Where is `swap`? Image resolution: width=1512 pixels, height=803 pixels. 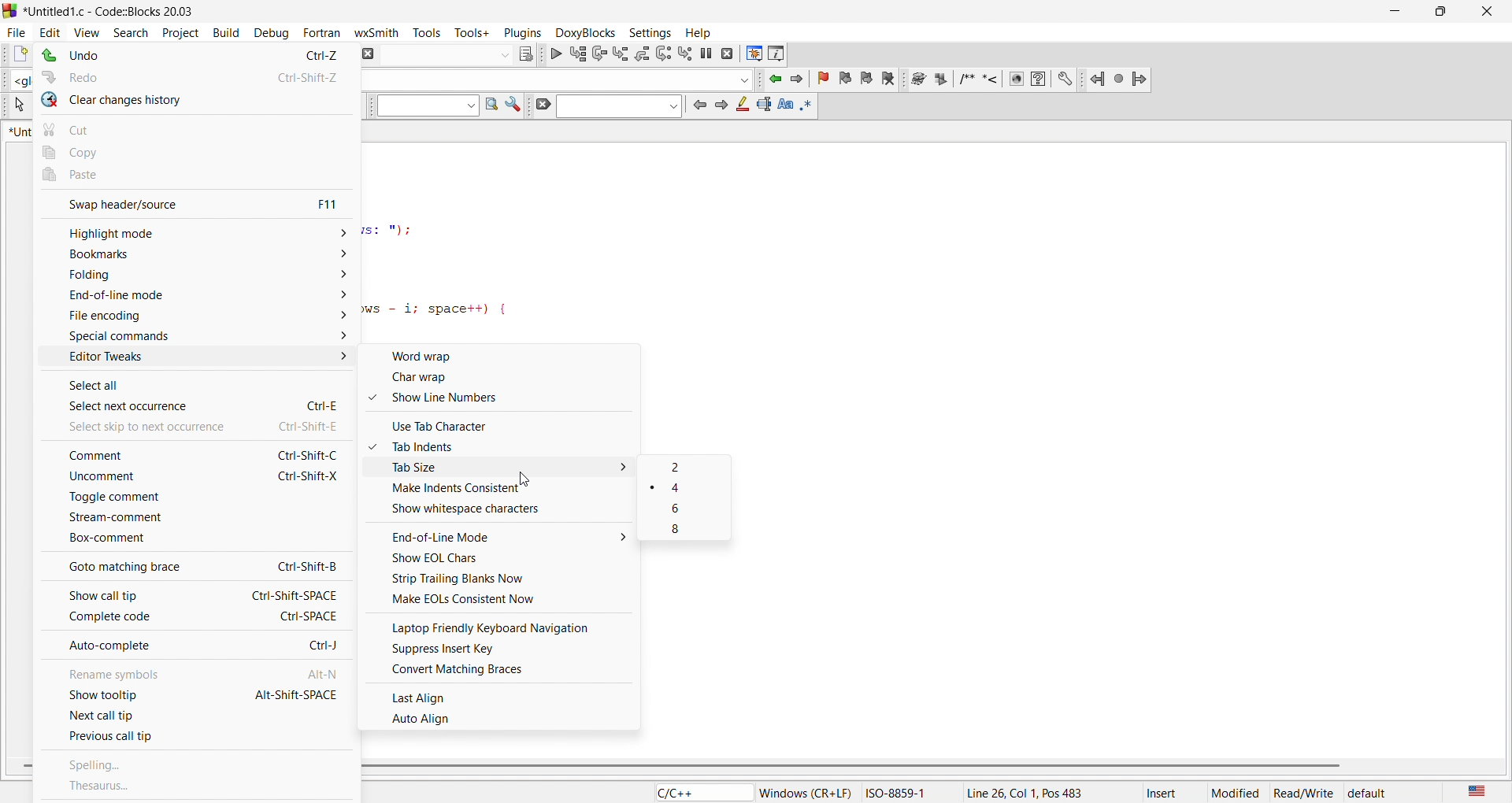
swap is located at coordinates (139, 202).